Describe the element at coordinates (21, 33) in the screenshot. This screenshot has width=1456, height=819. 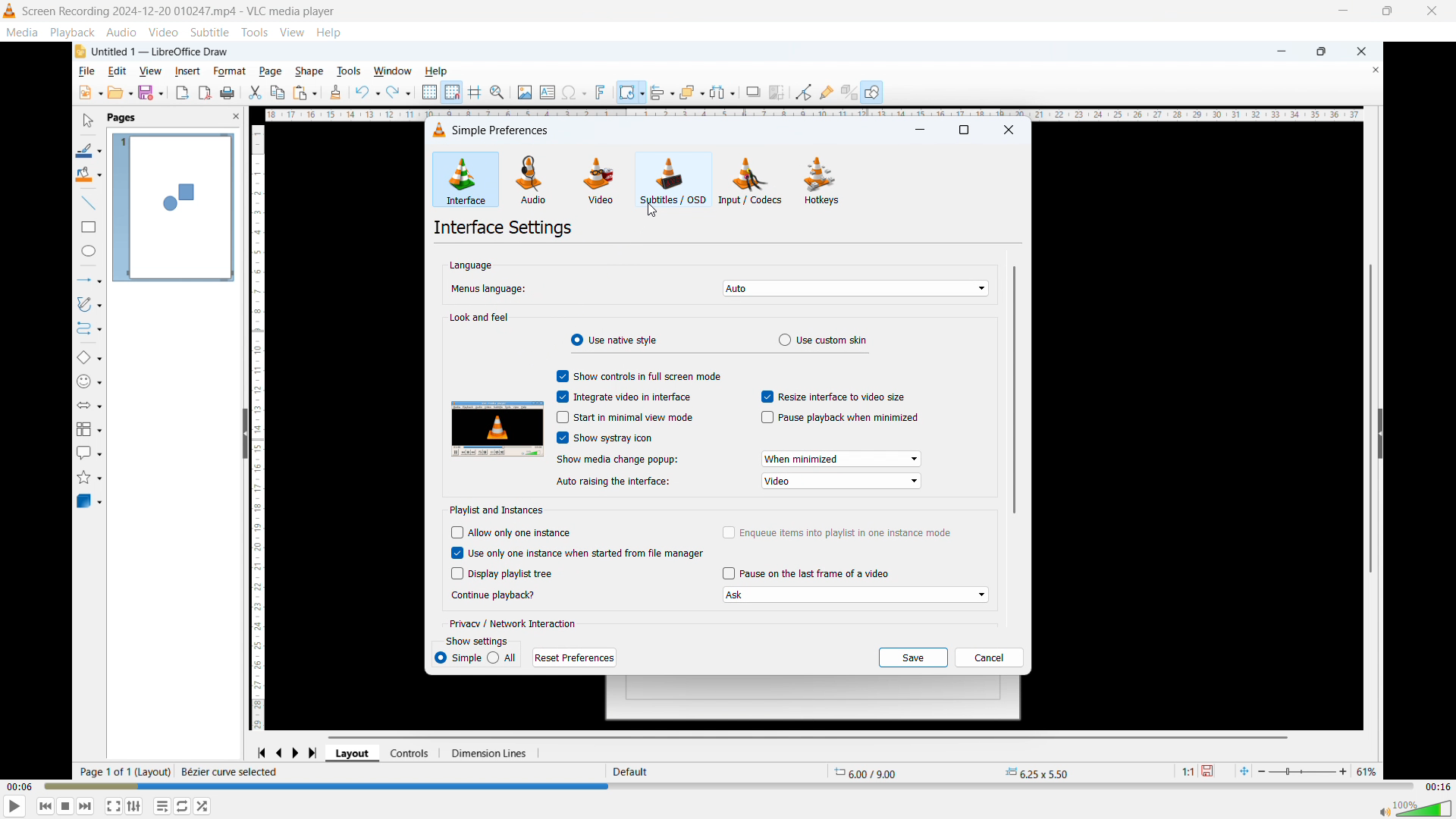
I see `Media ` at that location.